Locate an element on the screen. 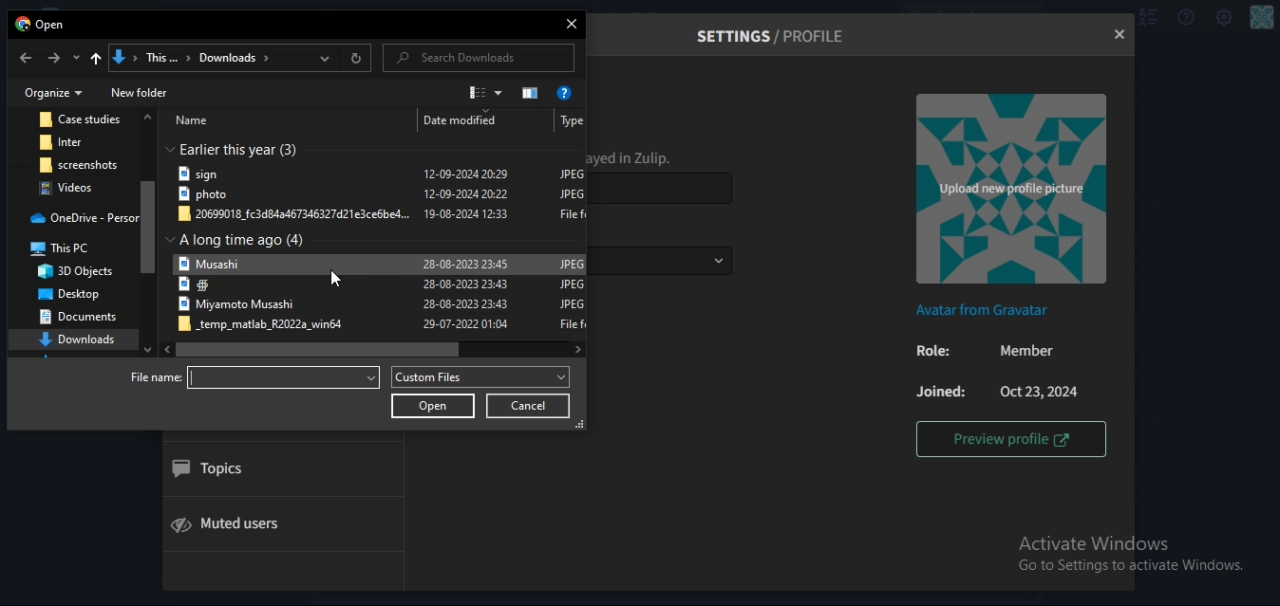 Image resolution: width=1280 pixels, height=606 pixels. dropdown is located at coordinates (239, 87).